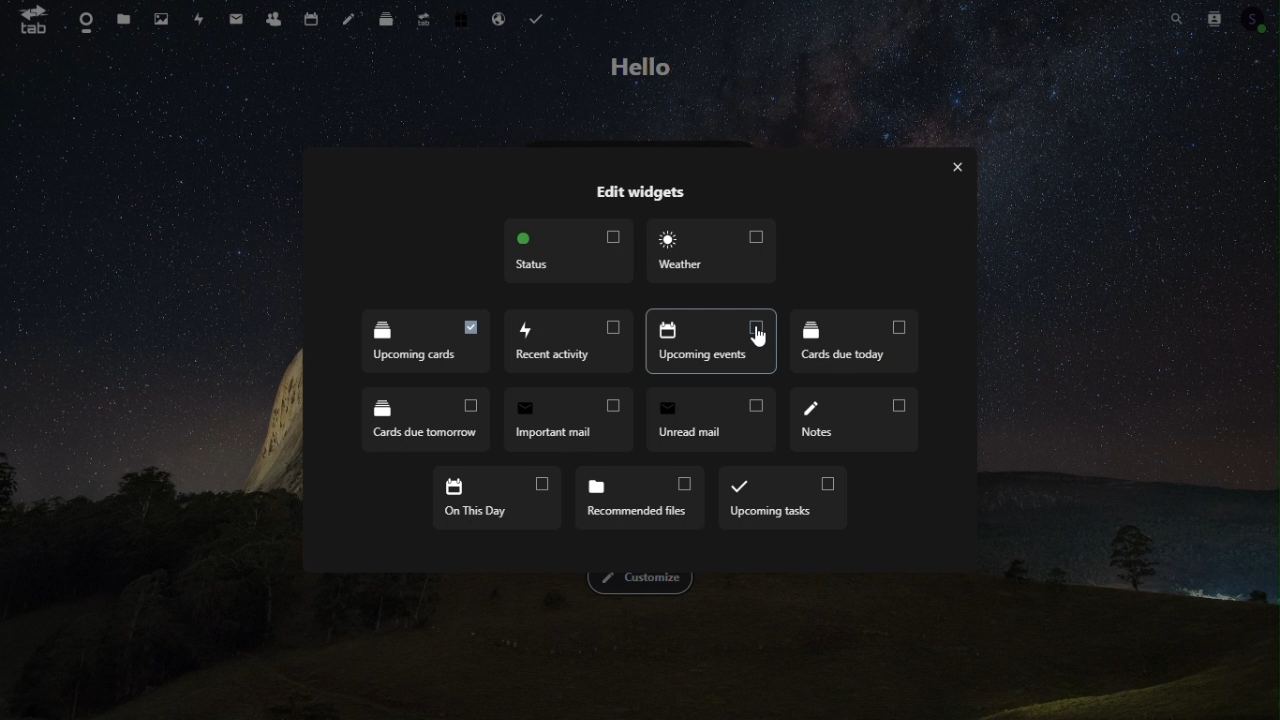  I want to click on Task , so click(534, 15).